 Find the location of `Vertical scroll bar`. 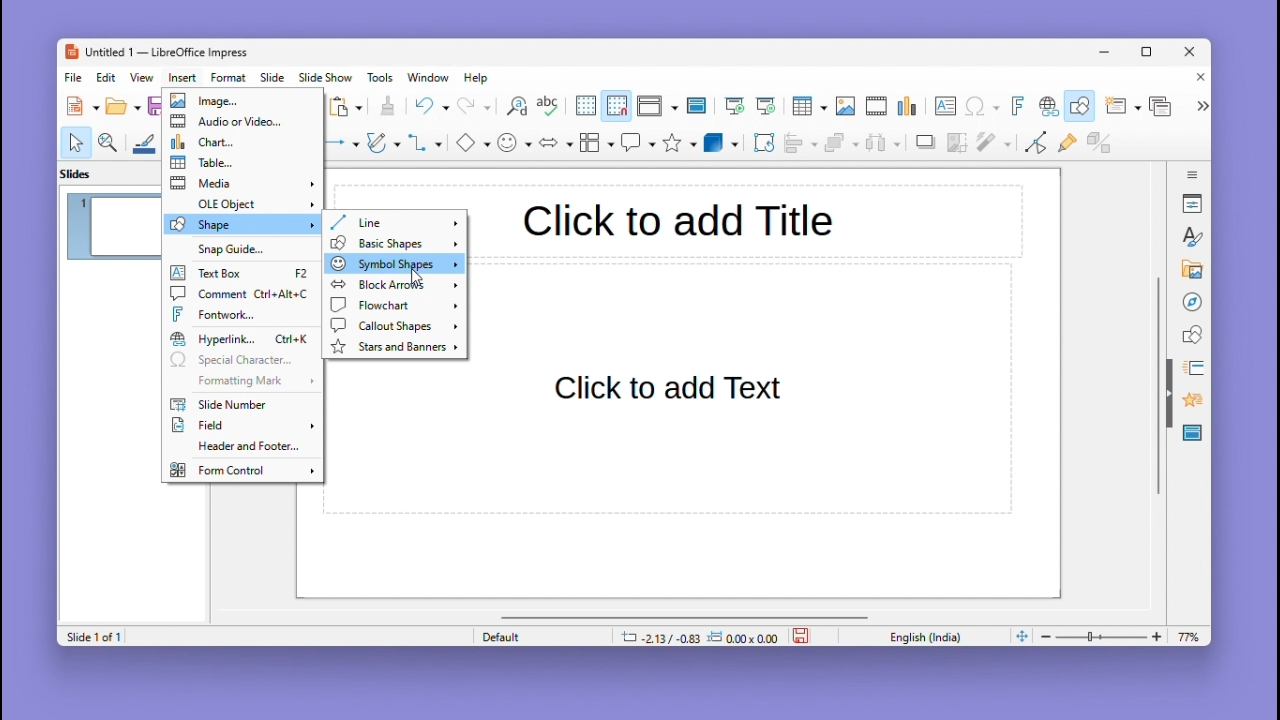

Vertical scroll bar is located at coordinates (1158, 386).